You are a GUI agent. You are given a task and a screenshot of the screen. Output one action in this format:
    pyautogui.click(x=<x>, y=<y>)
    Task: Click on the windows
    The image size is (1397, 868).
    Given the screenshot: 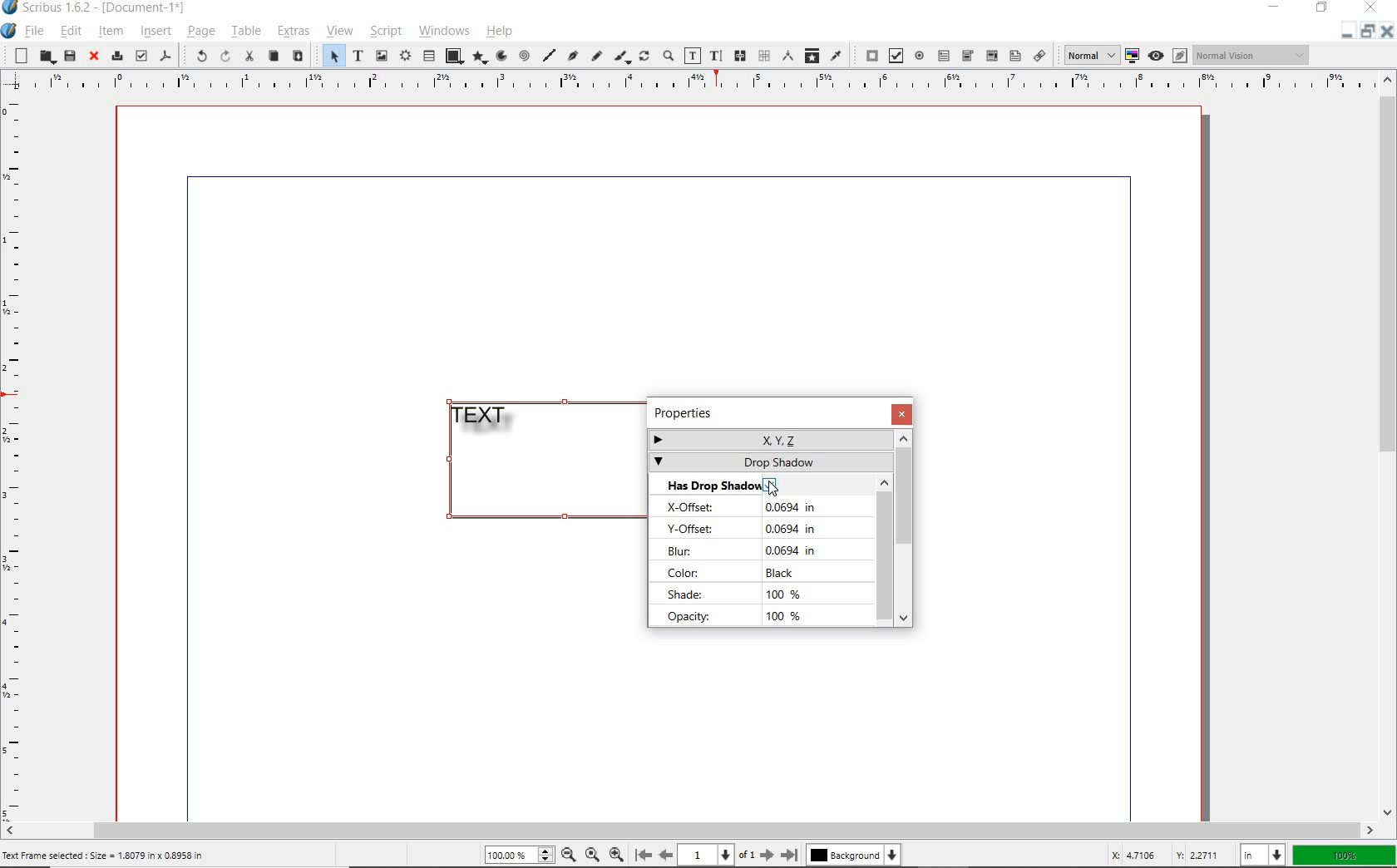 What is the action you would take?
    pyautogui.click(x=446, y=32)
    